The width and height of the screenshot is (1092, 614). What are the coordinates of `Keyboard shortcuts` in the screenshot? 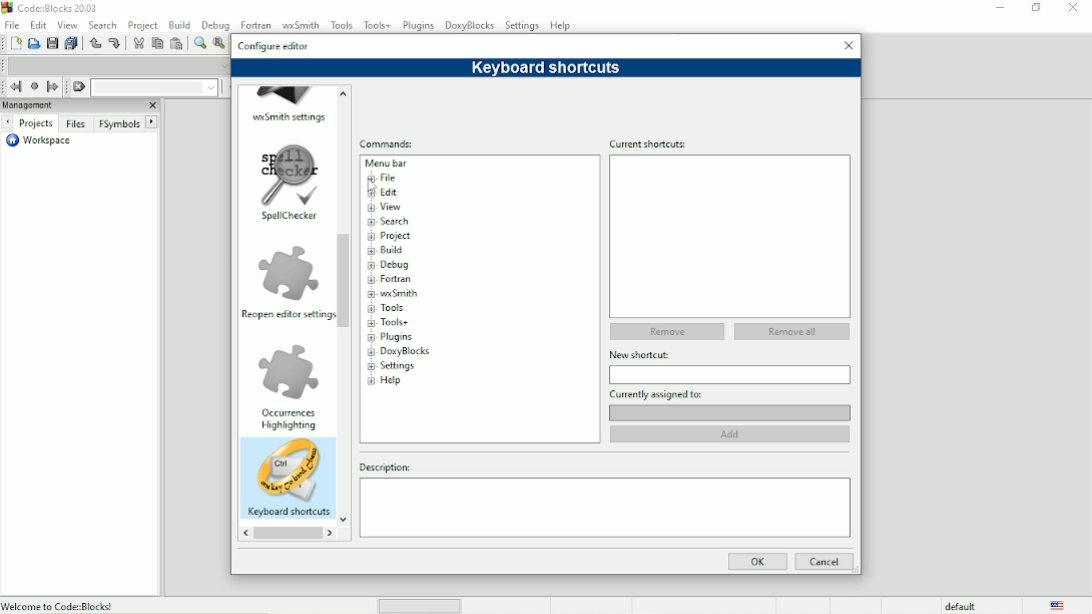 It's located at (547, 68).